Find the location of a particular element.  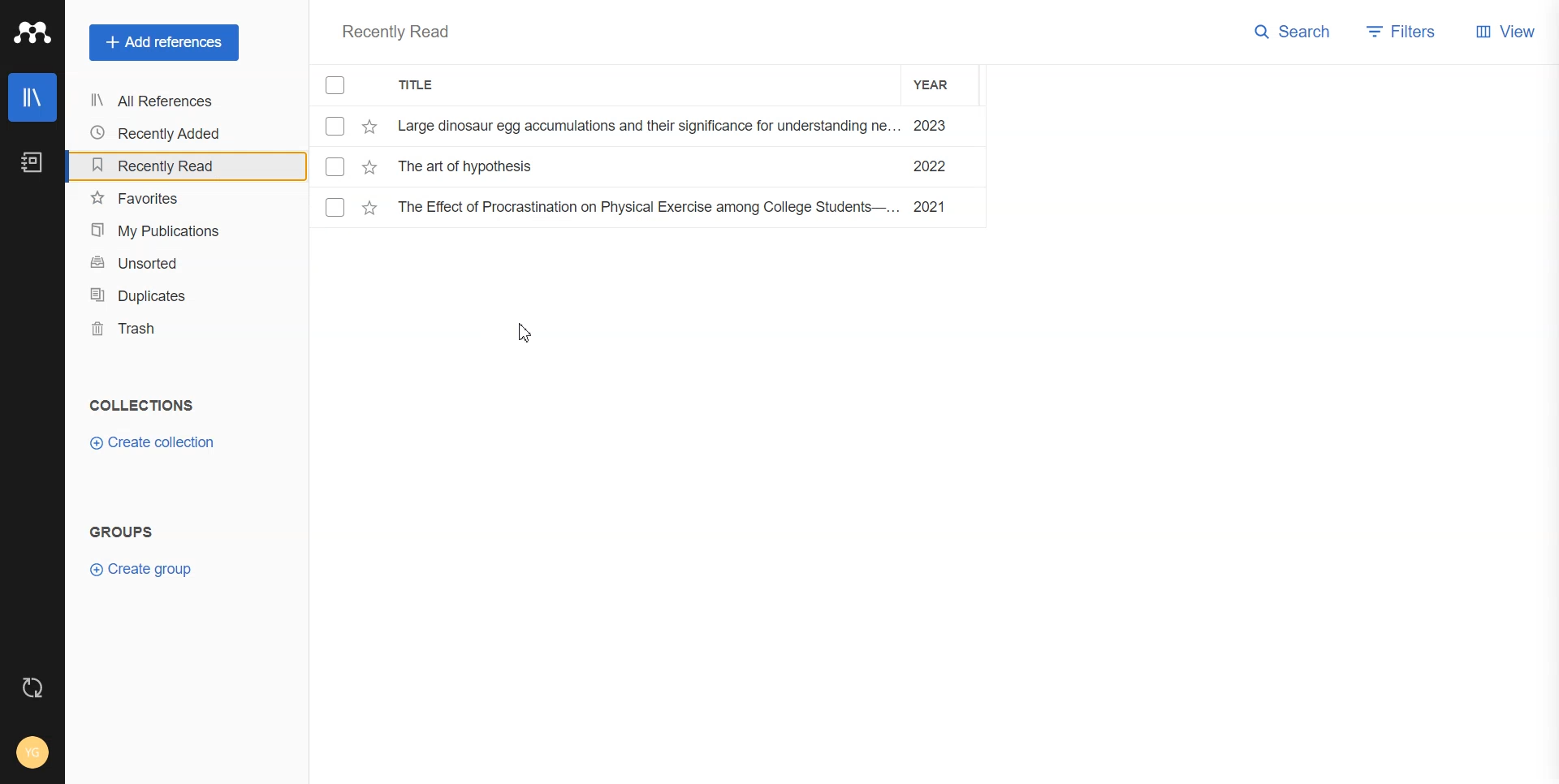

Text is located at coordinates (140, 406).